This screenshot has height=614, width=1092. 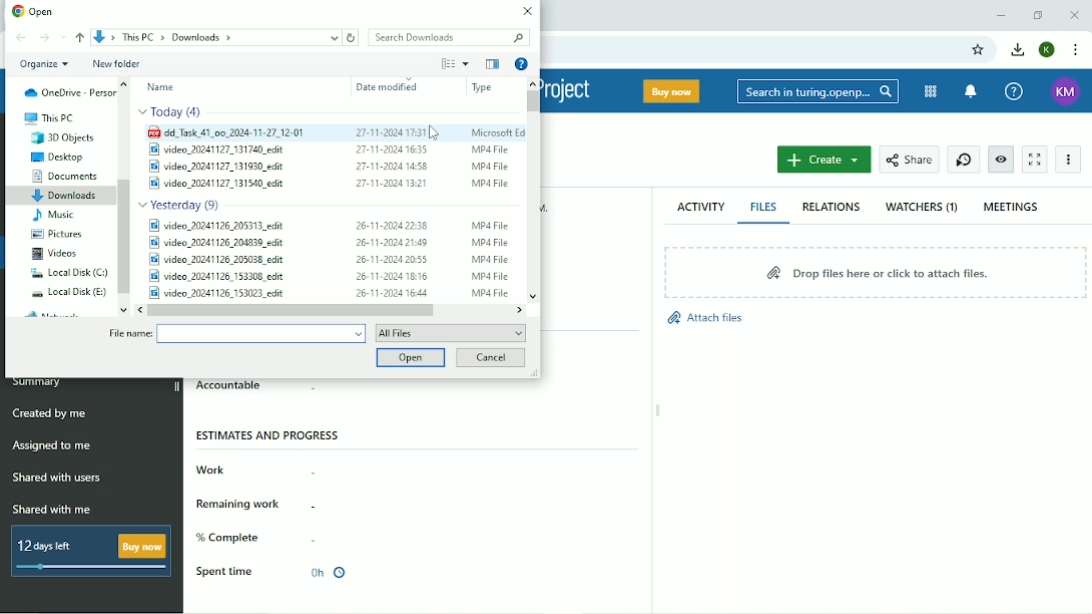 I want to click on Date modified, so click(x=387, y=87).